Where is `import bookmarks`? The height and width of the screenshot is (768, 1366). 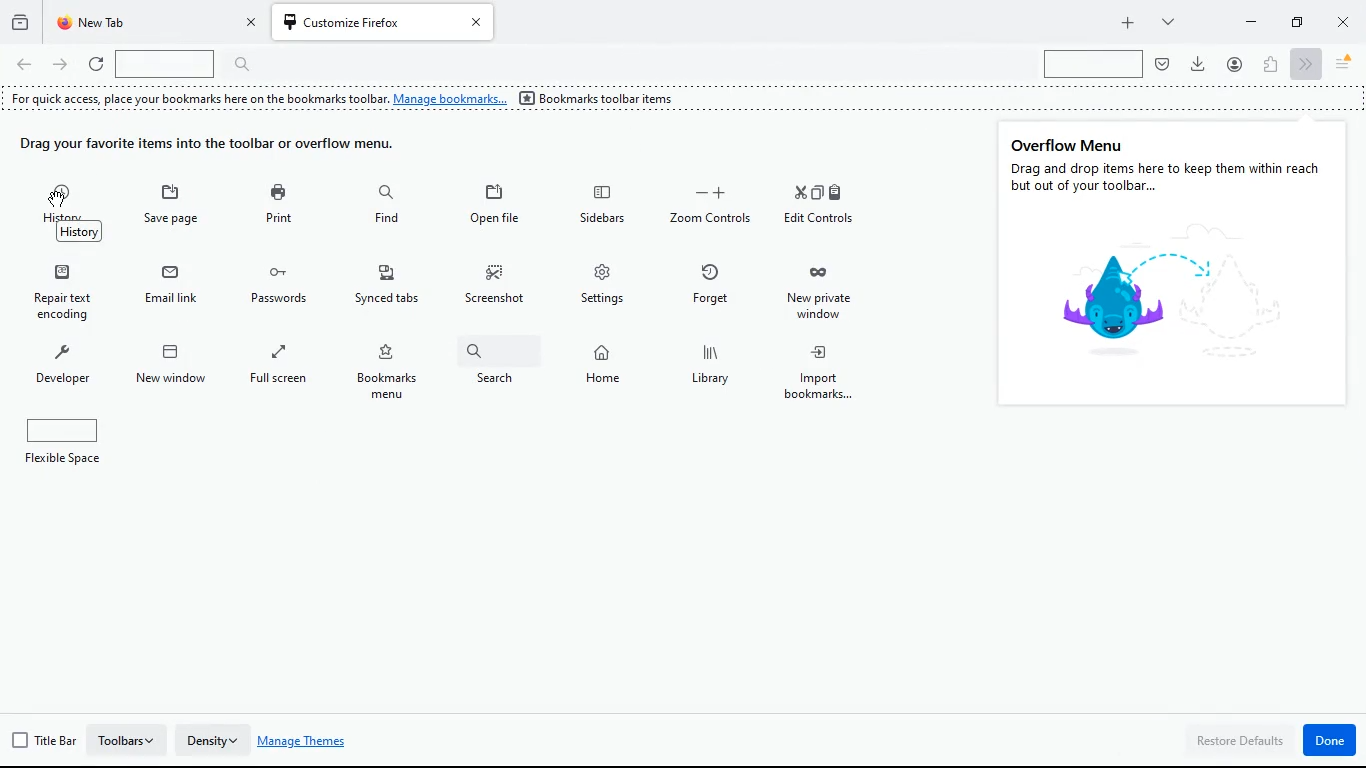
import bookmarks is located at coordinates (831, 375).